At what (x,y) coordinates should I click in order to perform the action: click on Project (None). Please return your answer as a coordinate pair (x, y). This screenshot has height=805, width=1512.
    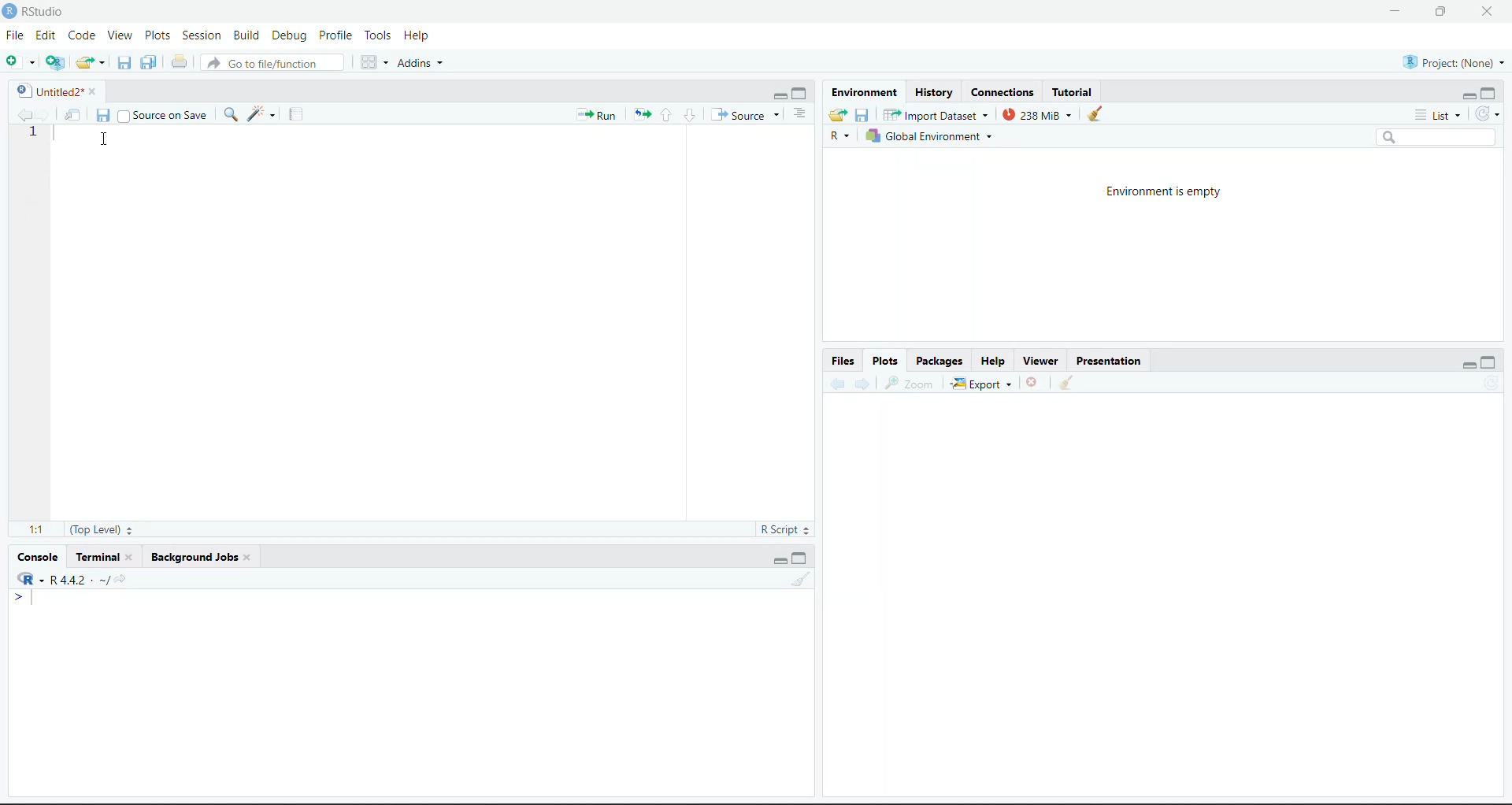
    Looking at the image, I should click on (1453, 63).